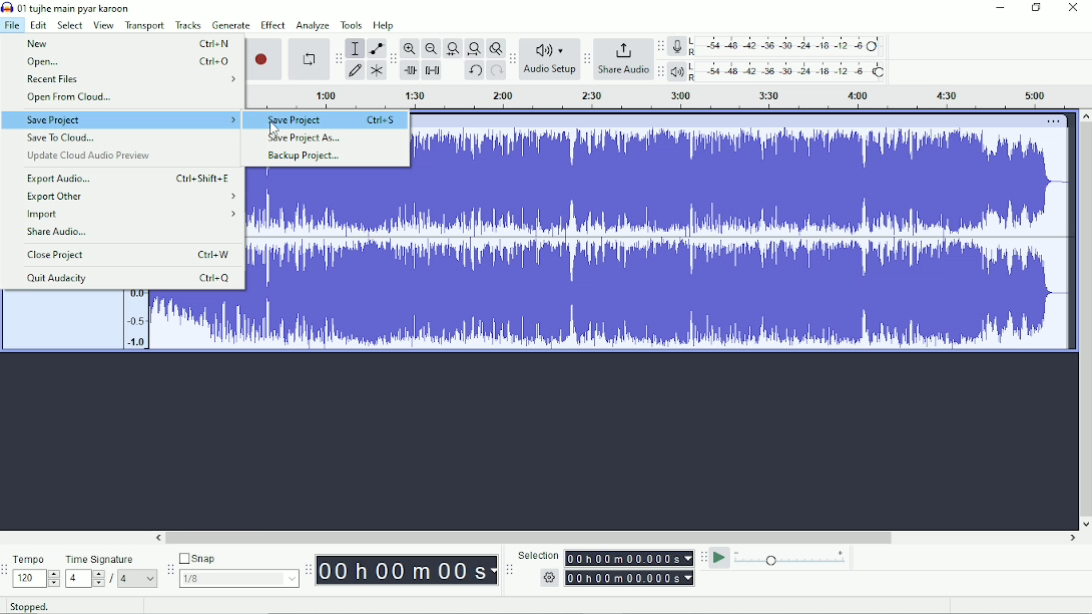 This screenshot has width=1092, height=614. What do you see at coordinates (408, 569) in the screenshot?
I see `Time` at bounding box center [408, 569].